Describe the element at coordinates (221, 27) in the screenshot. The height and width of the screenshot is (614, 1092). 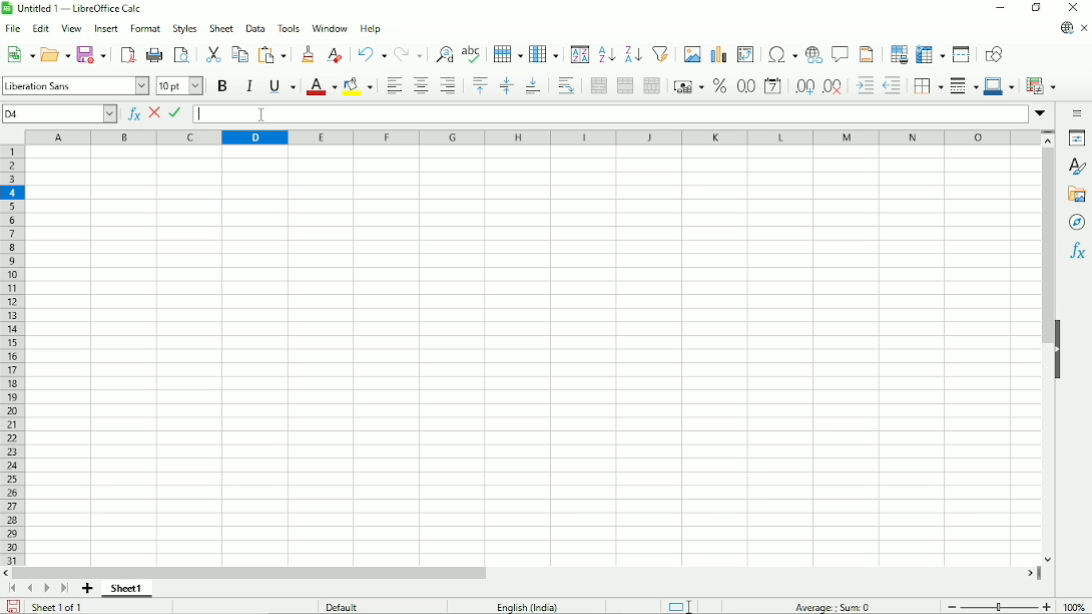
I see `Sheet` at that location.